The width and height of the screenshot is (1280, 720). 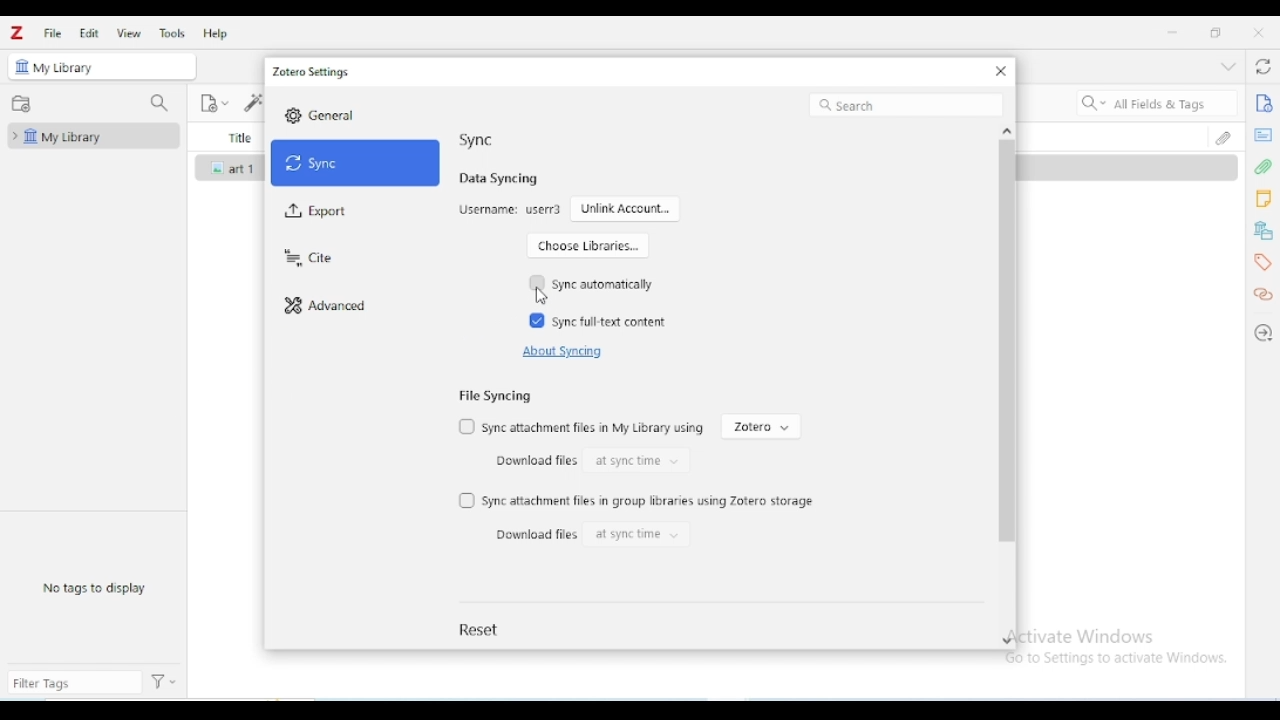 What do you see at coordinates (1264, 102) in the screenshot?
I see `info` at bounding box center [1264, 102].